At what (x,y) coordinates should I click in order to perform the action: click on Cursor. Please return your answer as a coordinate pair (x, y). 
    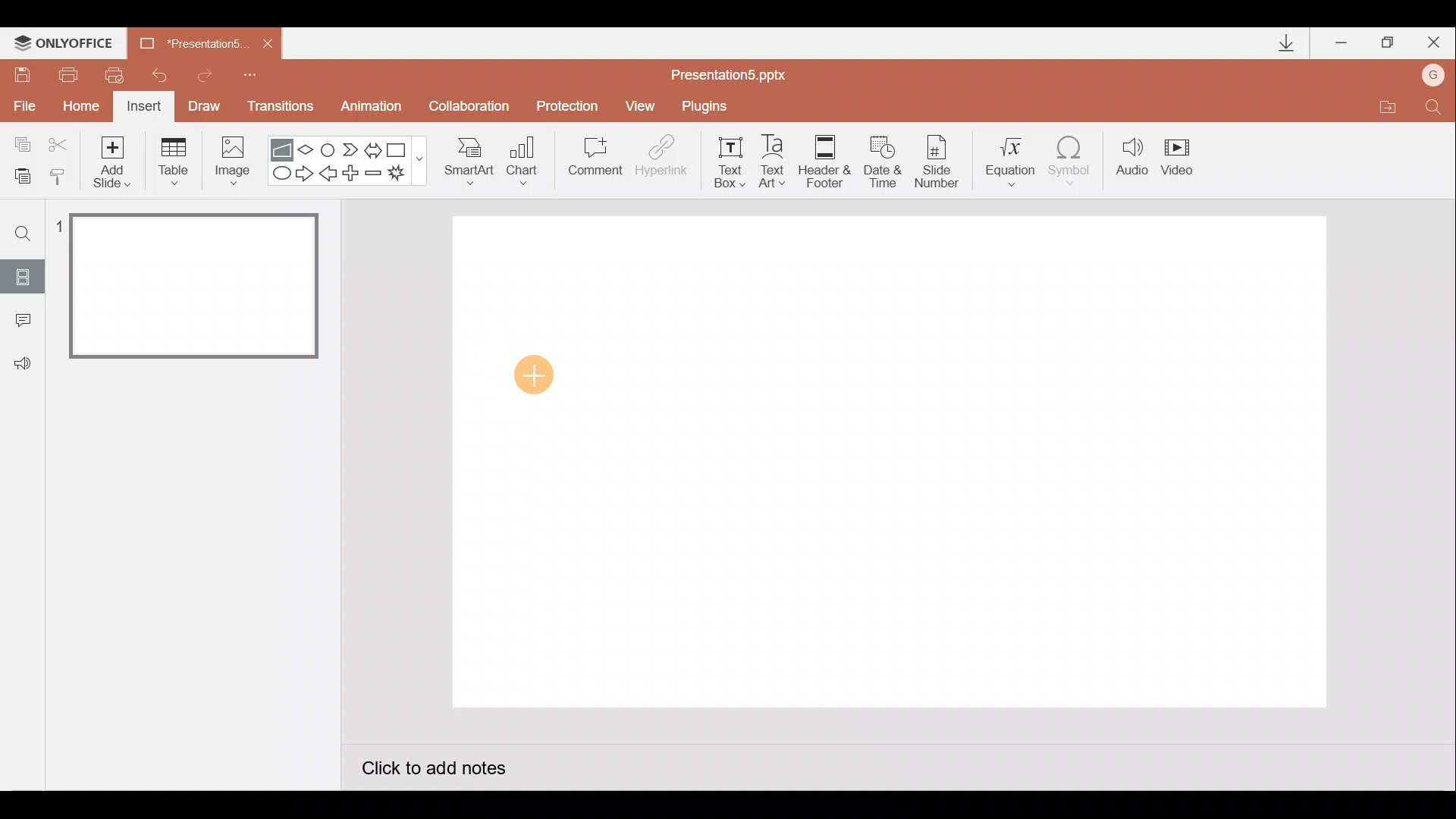
    Looking at the image, I should click on (529, 378).